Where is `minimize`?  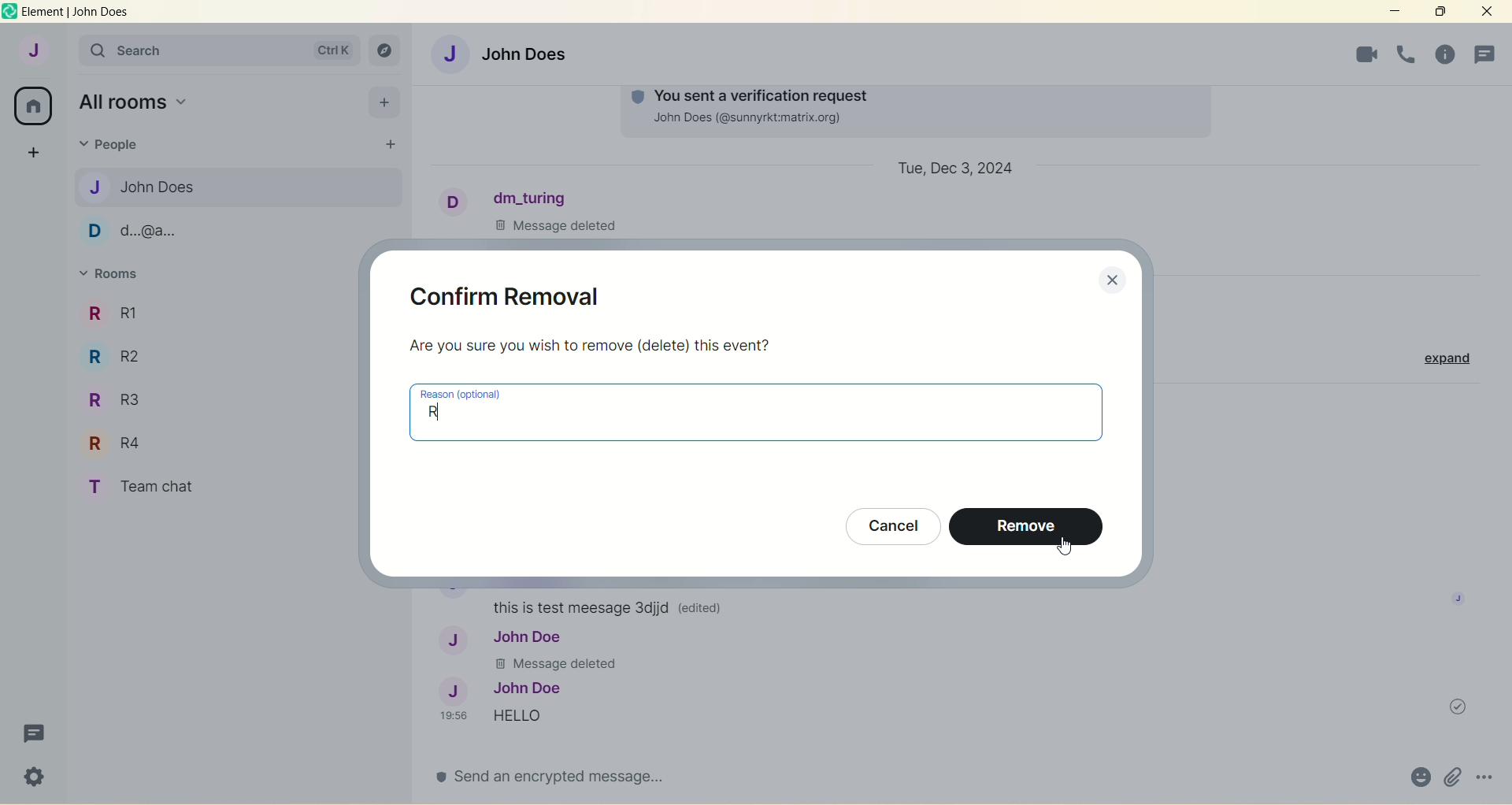 minimize is located at coordinates (1392, 11).